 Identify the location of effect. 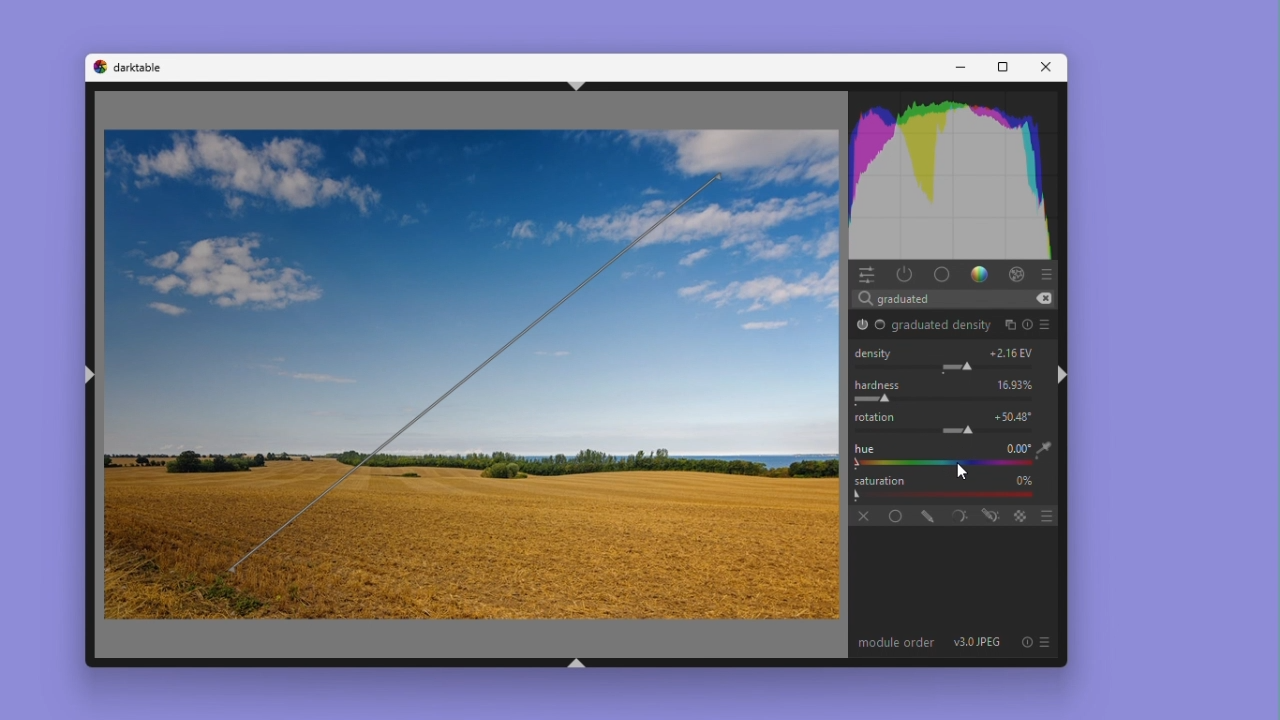
(1016, 273).